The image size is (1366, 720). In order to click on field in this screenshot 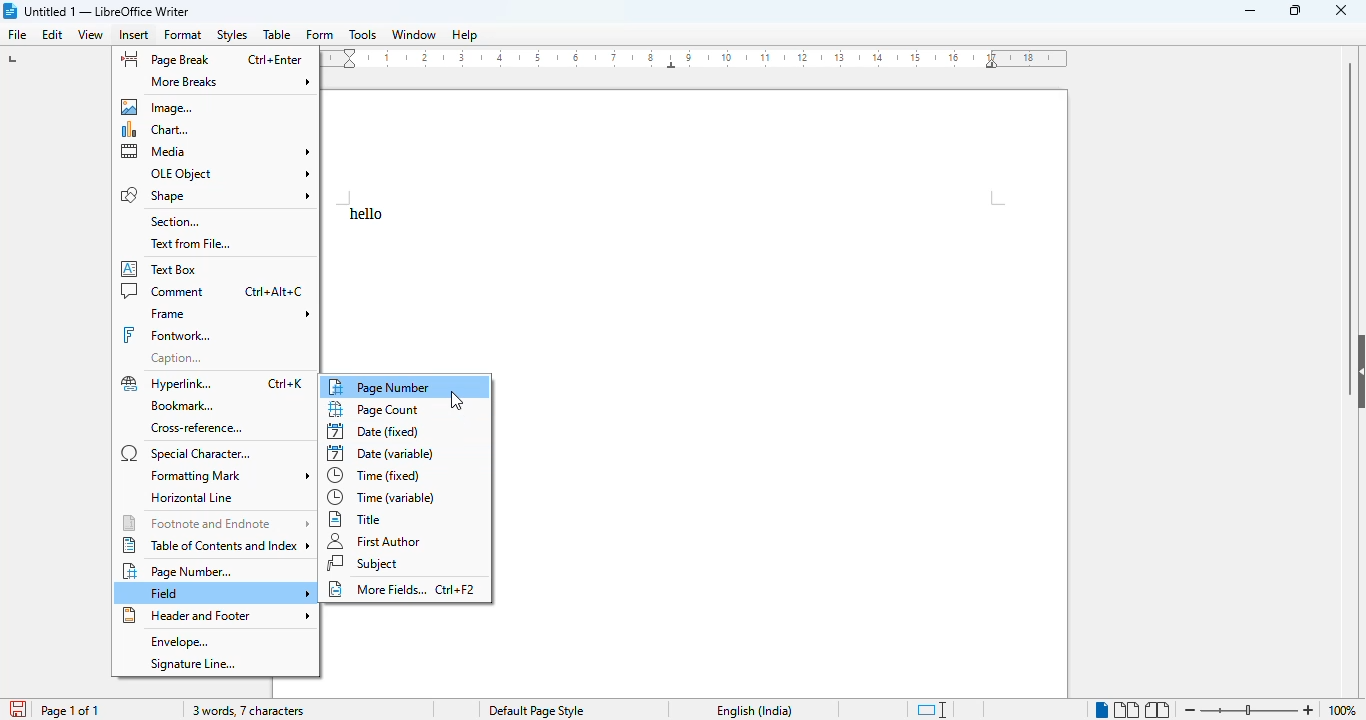, I will do `click(229, 593)`.